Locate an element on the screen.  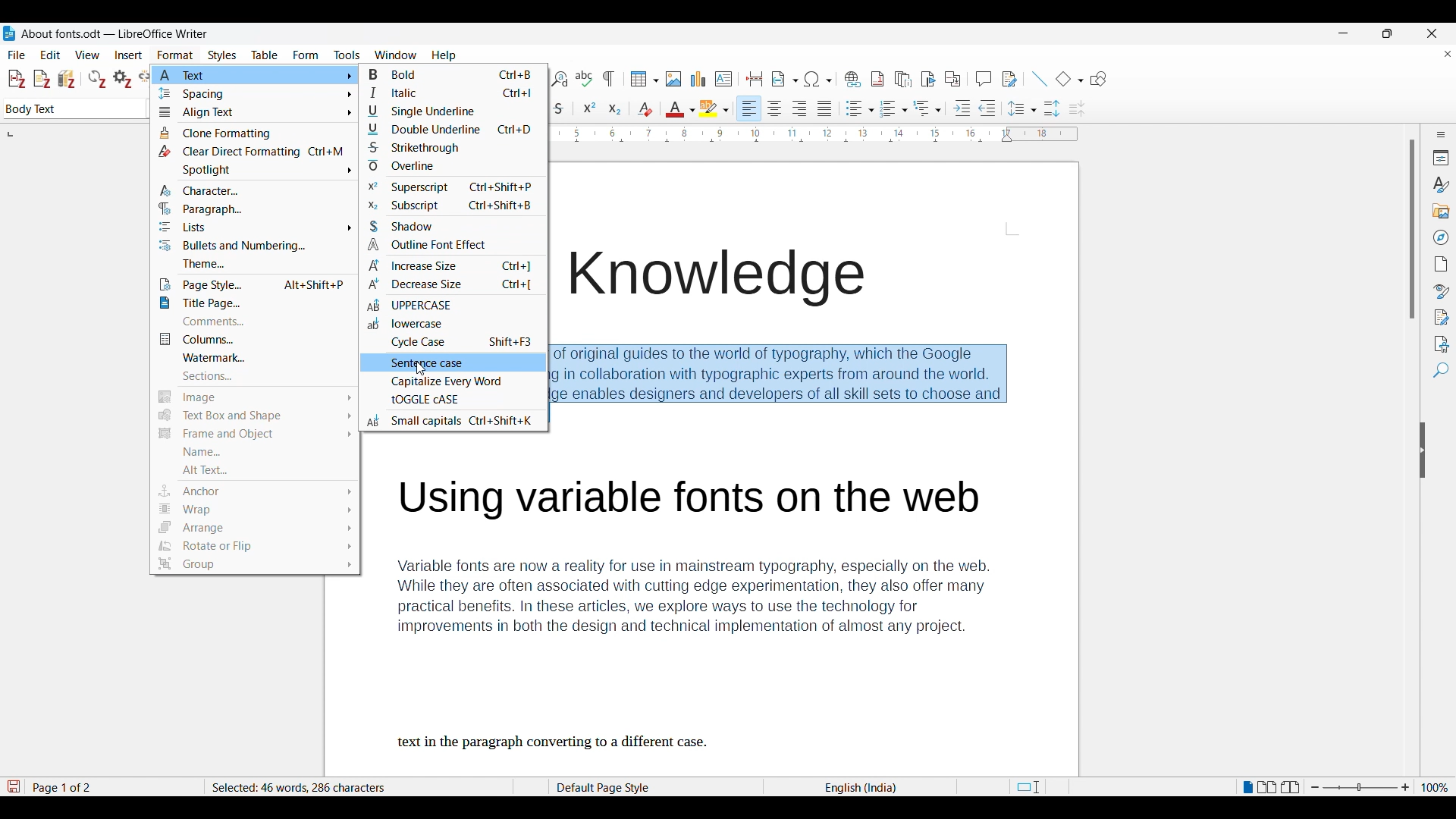
Uppercase is located at coordinates (431, 306).